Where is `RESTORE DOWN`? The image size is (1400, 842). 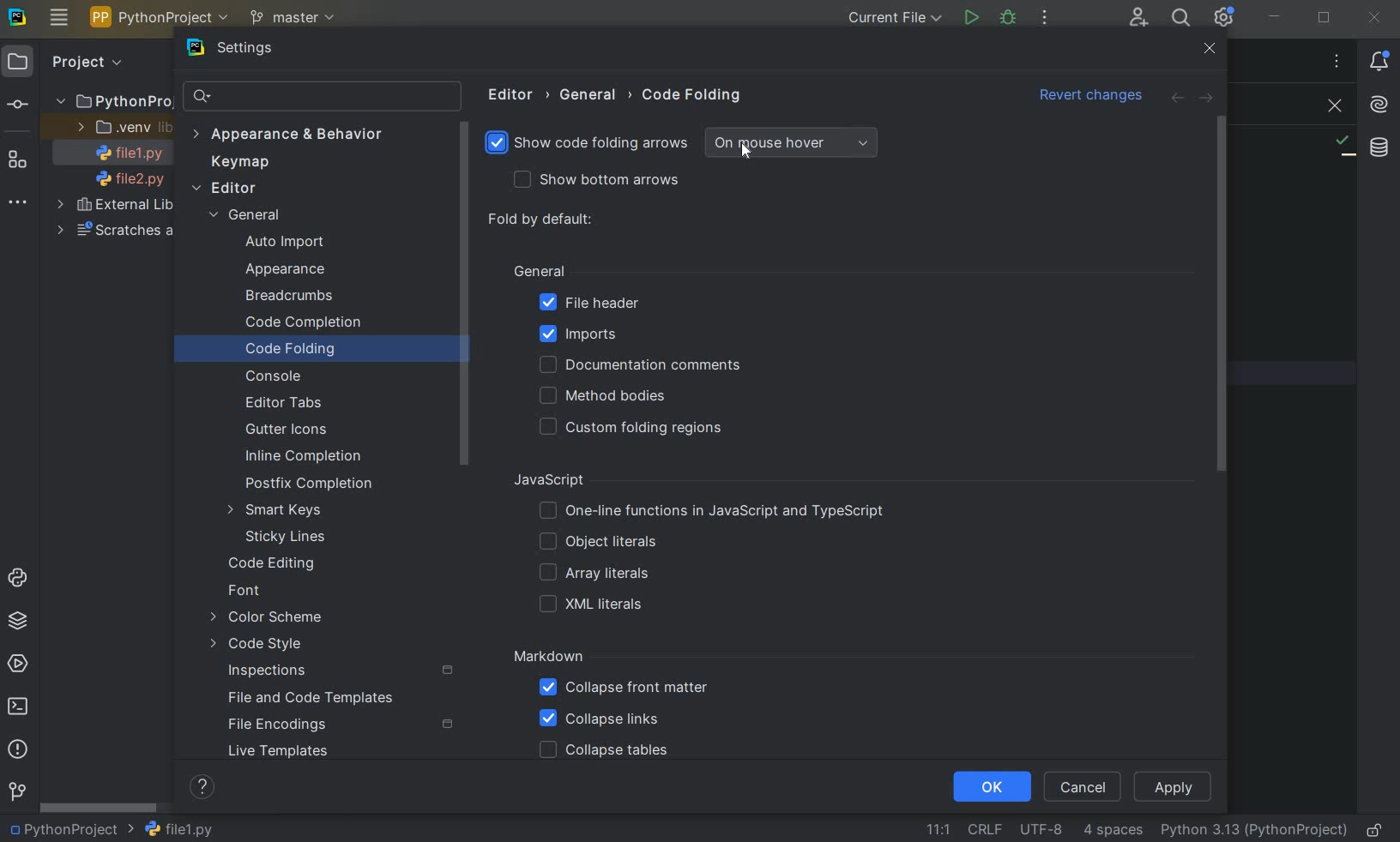 RESTORE DOWN is located at coordinates (1325, 20).